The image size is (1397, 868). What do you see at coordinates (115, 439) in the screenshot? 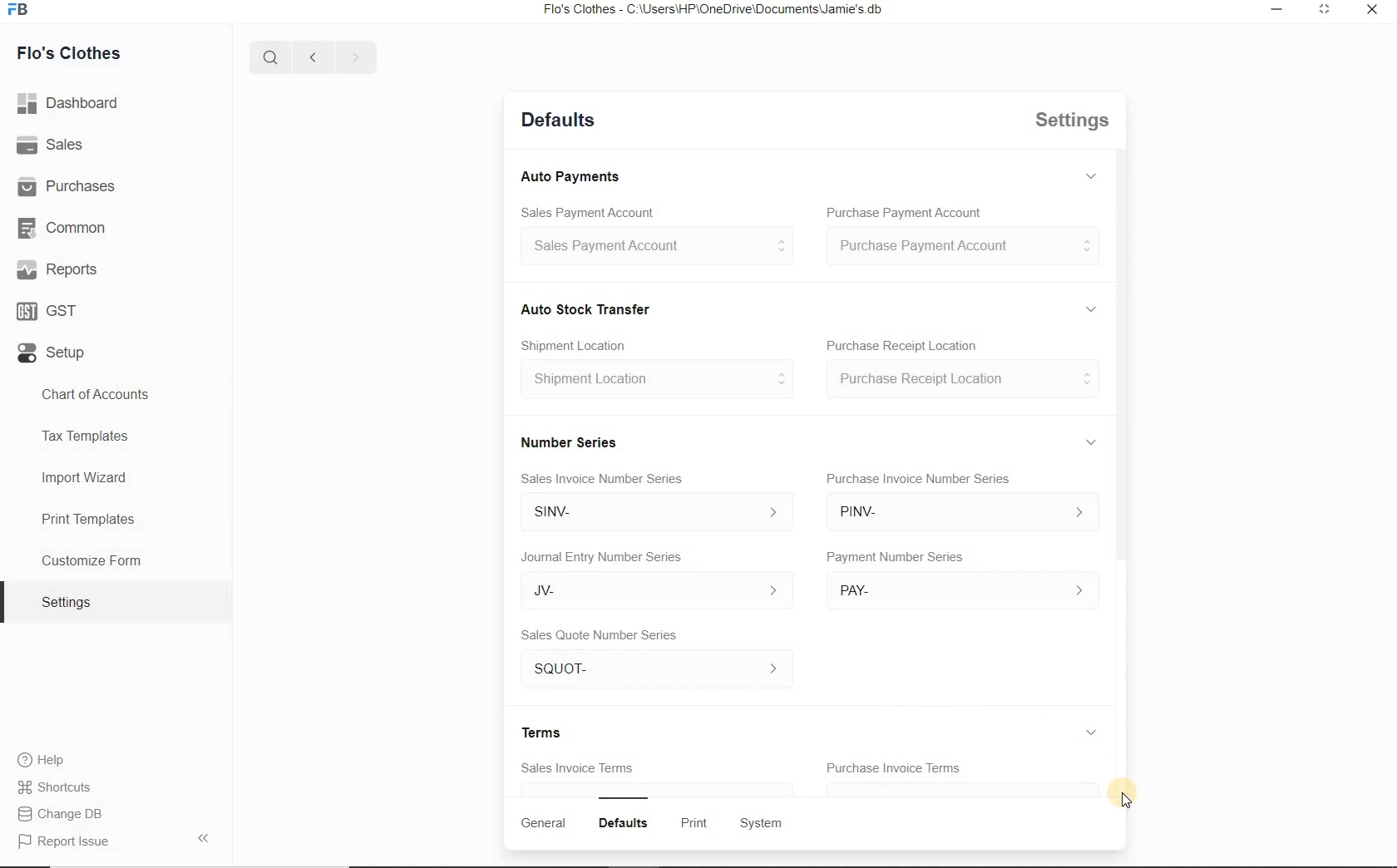
I see `Tax Templates` at bounding box center [115, 439].